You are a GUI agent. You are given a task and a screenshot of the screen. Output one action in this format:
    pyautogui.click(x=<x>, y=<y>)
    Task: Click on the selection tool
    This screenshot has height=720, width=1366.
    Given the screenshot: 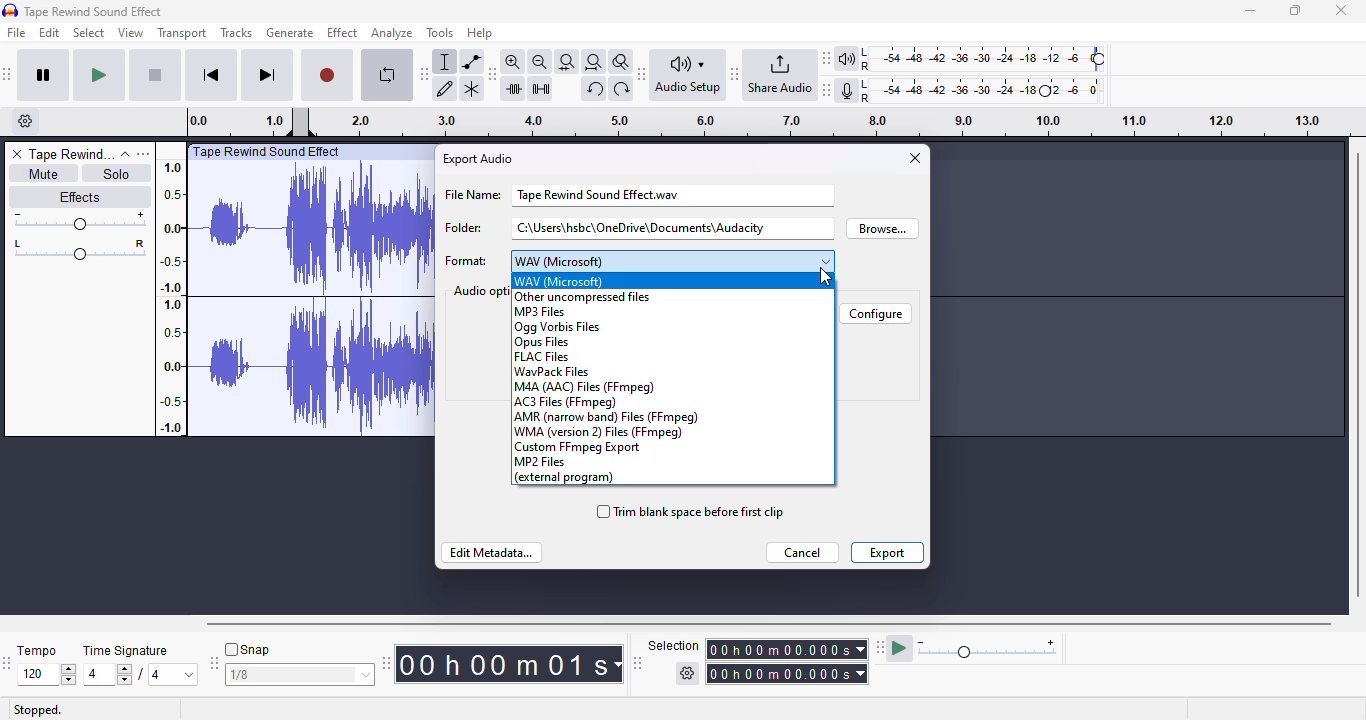 What is the action you would take?
    pyautogui.click(x=444, y=61)
    